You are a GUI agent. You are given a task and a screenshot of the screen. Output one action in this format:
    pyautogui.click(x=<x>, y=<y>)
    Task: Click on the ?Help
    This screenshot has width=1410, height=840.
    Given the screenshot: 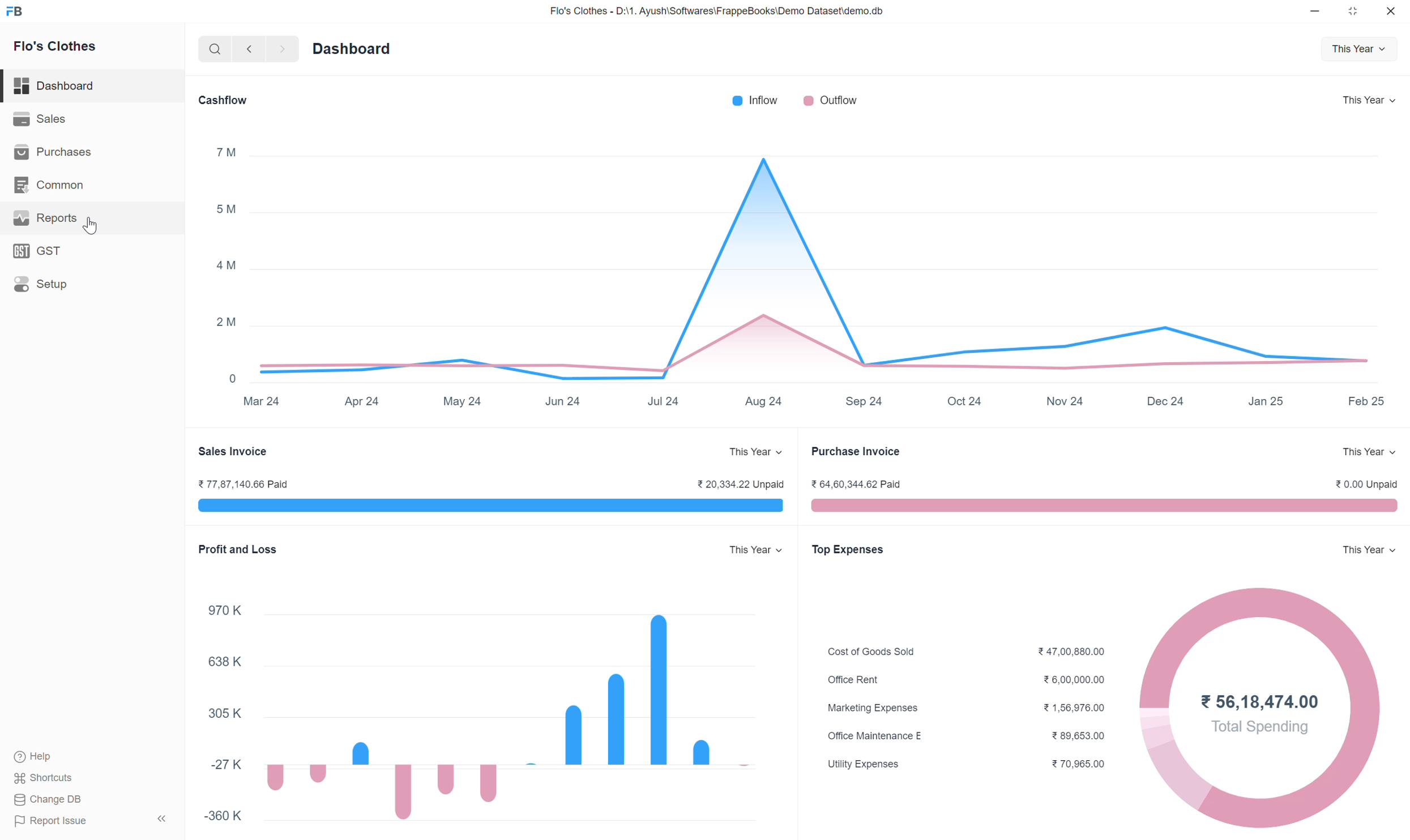 What is the action you would take?
    pyautogui.click(x=54, y=756)
    